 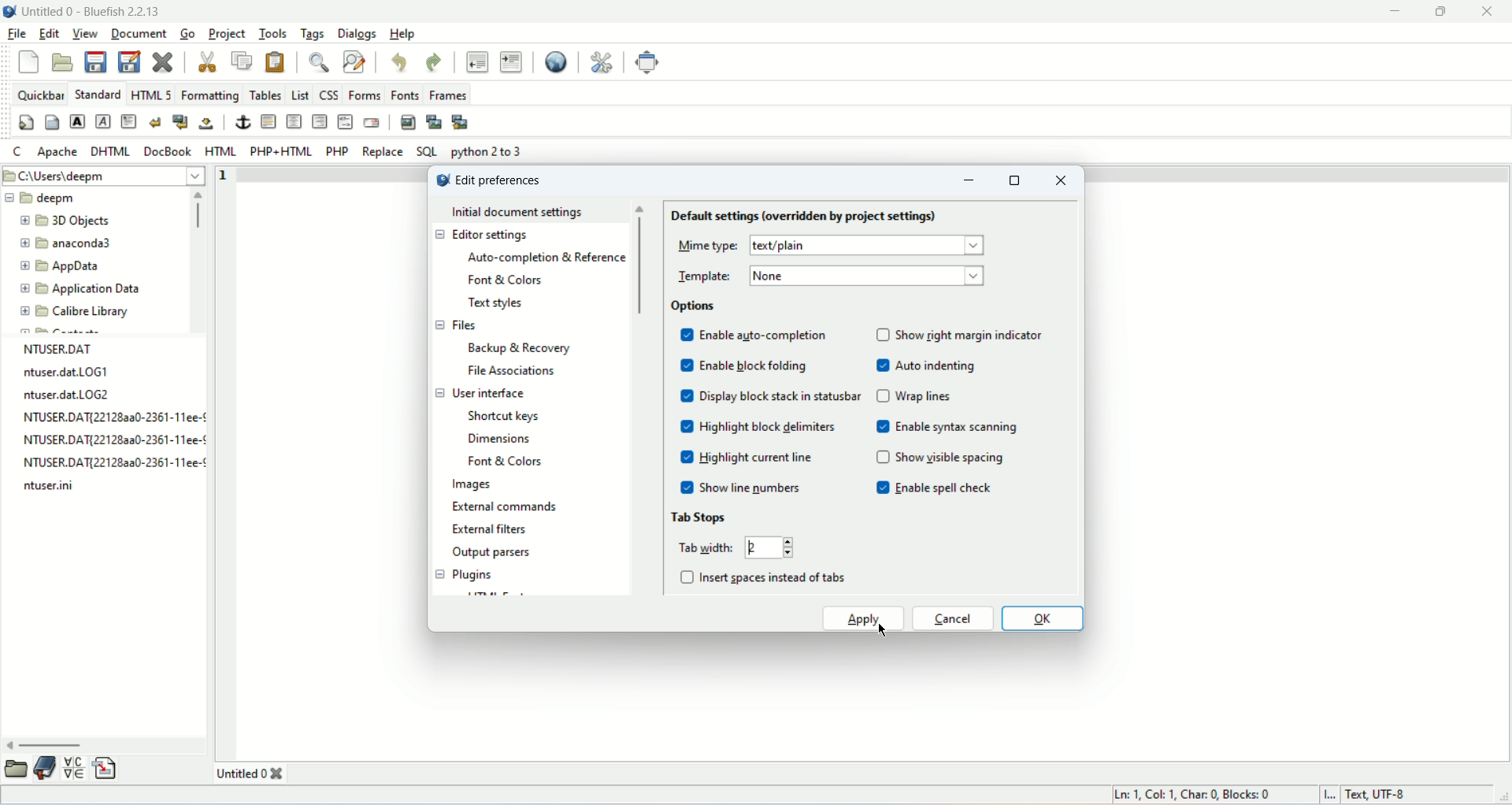 What do you see at coordinates (27, 123) in the screenshot?
I see `quickstart` at bounding box center [27, 123].